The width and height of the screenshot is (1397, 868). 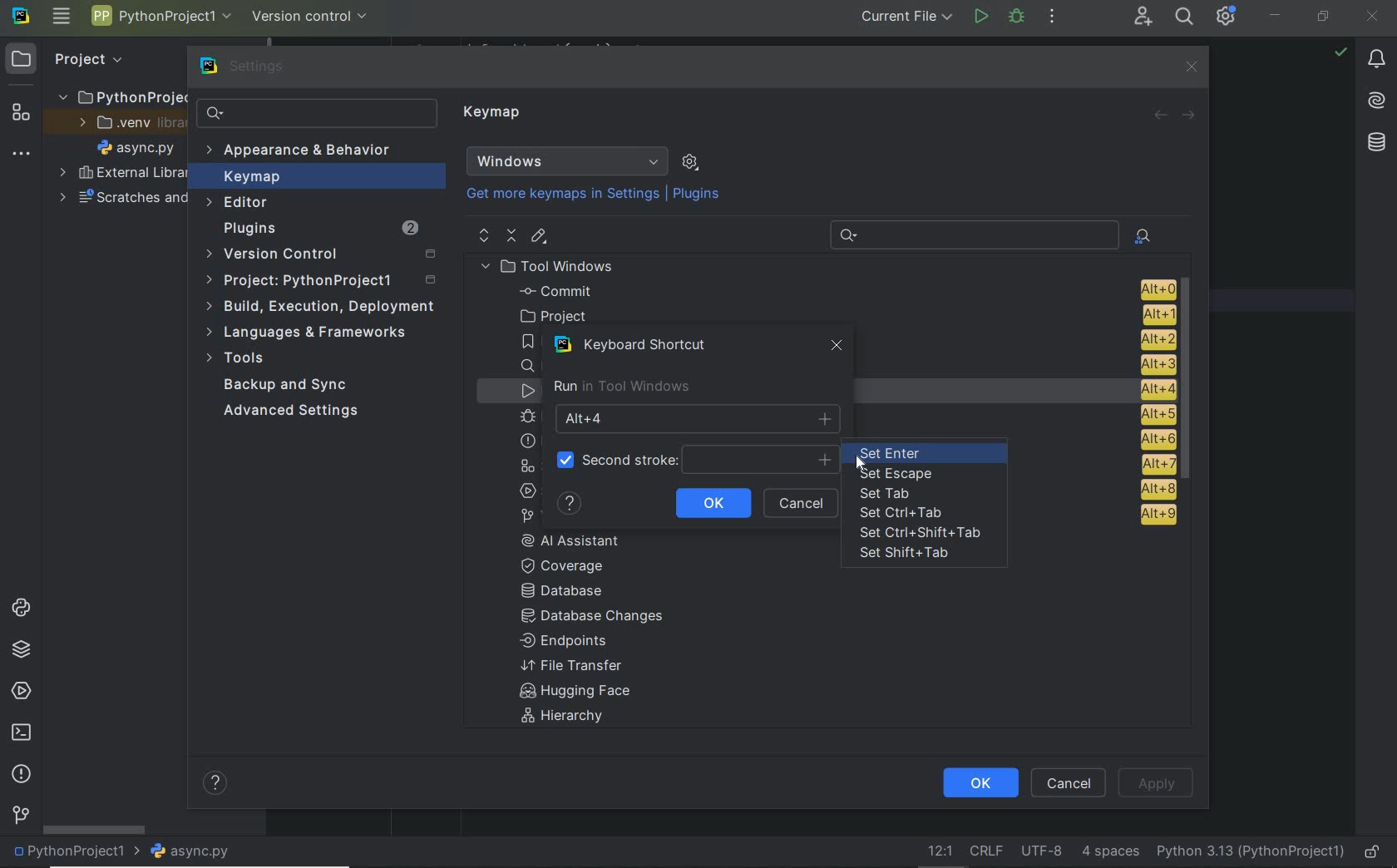 What do you see at coordinates (804, 504) in the screenshot?
I see `cancel` at bounding box center [804, 504].